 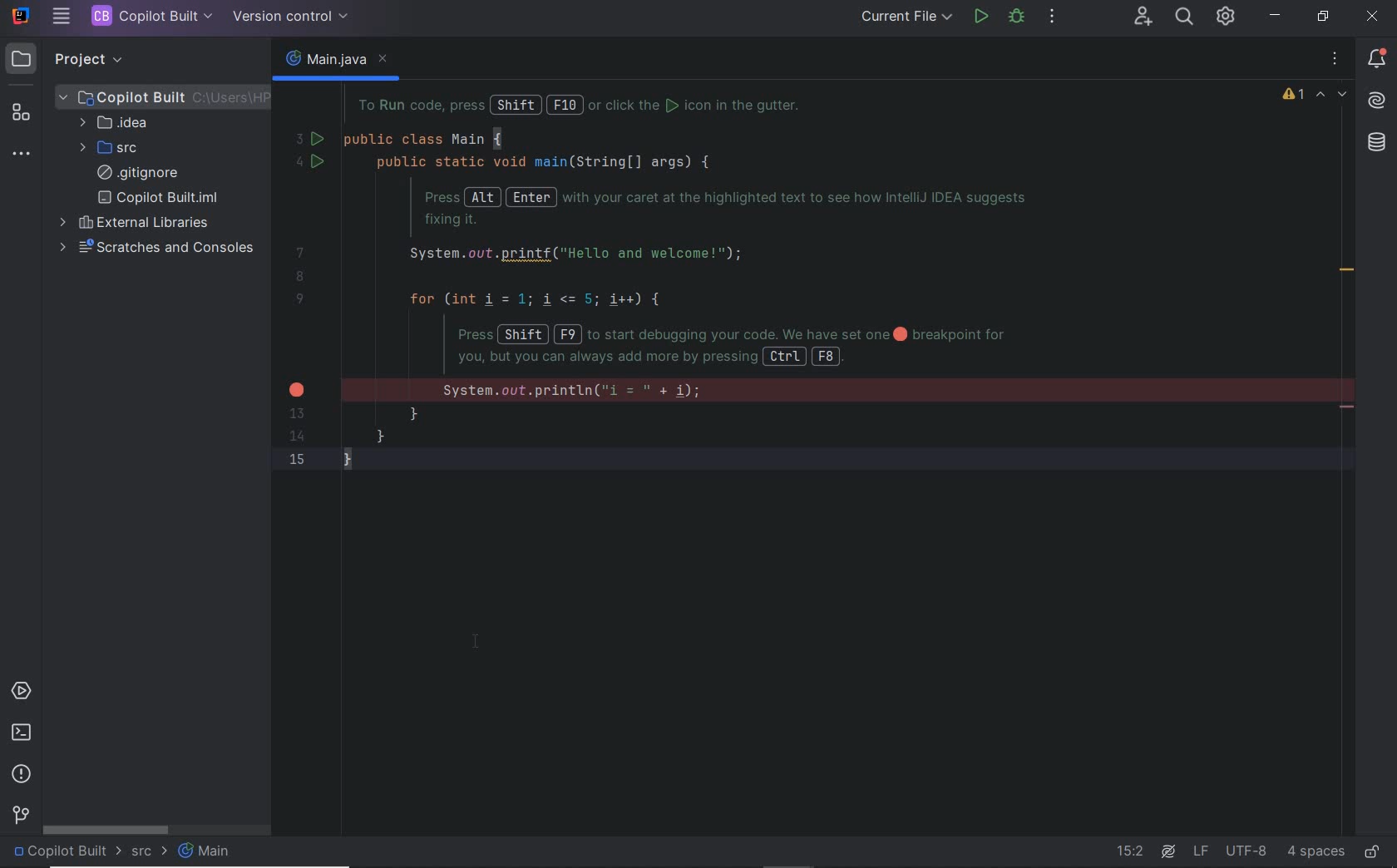 What do you see at coordinates (906, 18) in the screenshot?
I see `RUN/DEBUG CONFIGURATION` at bounding box center [906, 18].